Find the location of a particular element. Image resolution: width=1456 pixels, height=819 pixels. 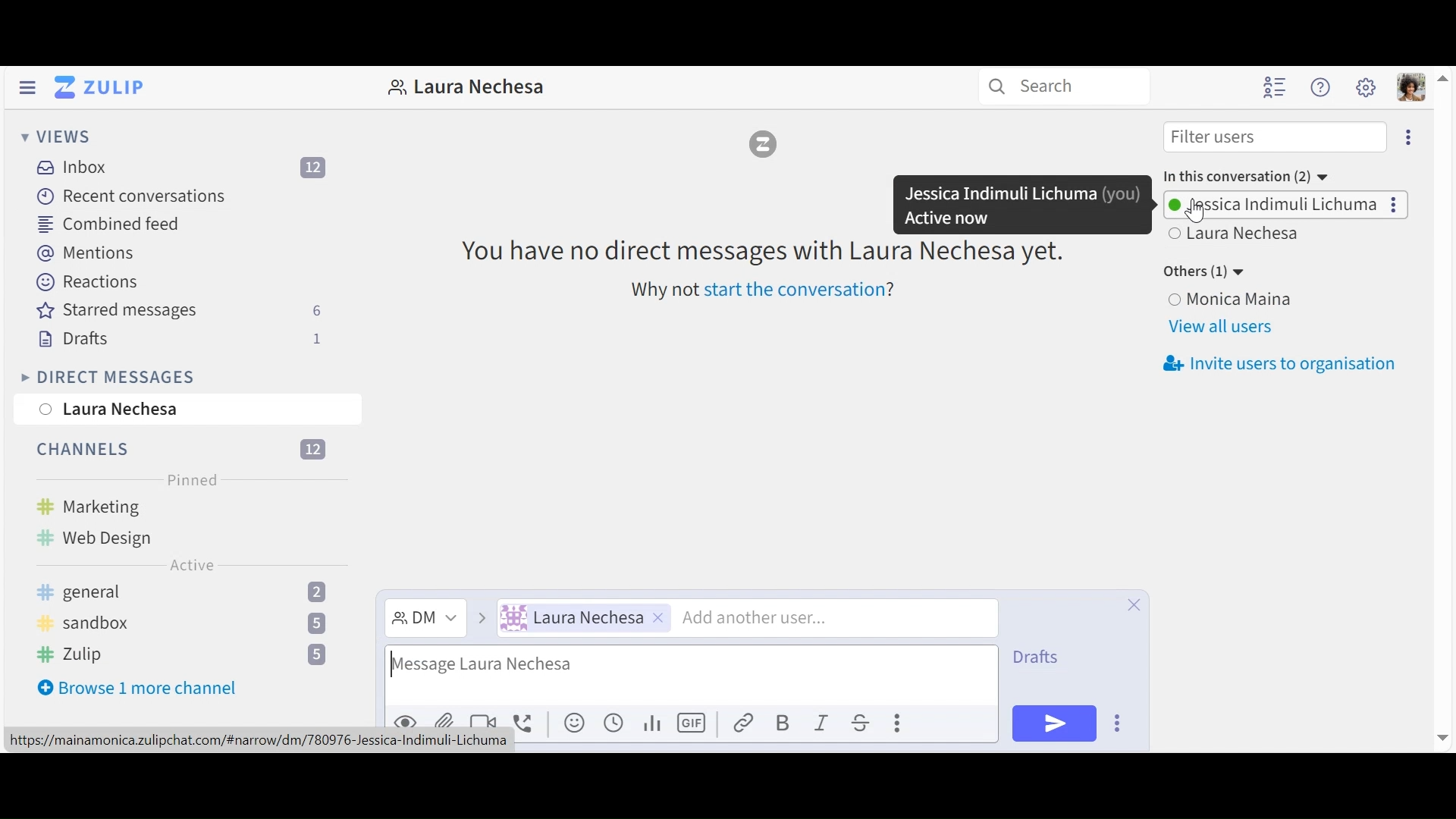

view all users is located at coordinates (1223, 329).